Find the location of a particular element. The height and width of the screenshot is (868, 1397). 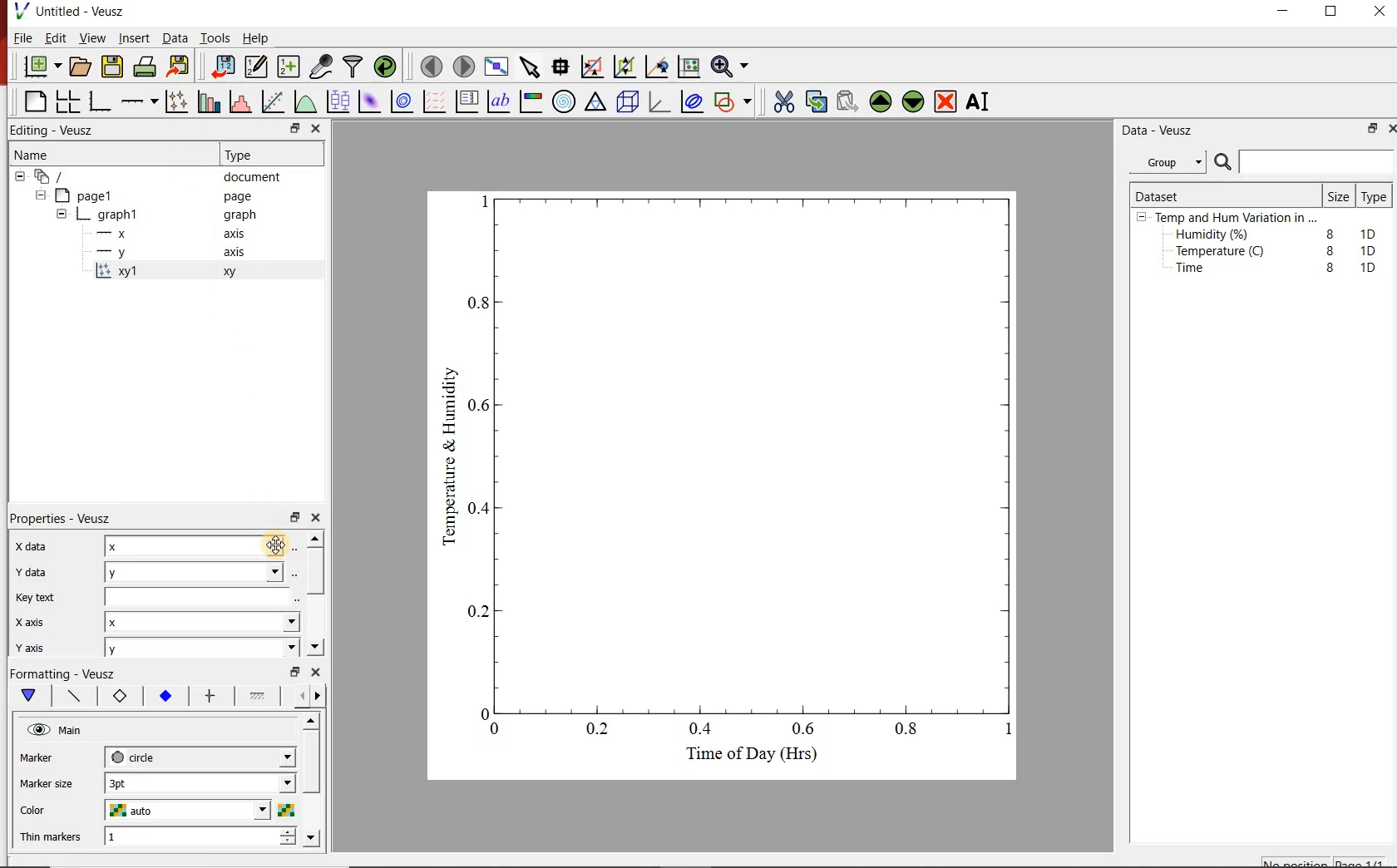

Properties - Veusz is located at coordinates (69, 515).